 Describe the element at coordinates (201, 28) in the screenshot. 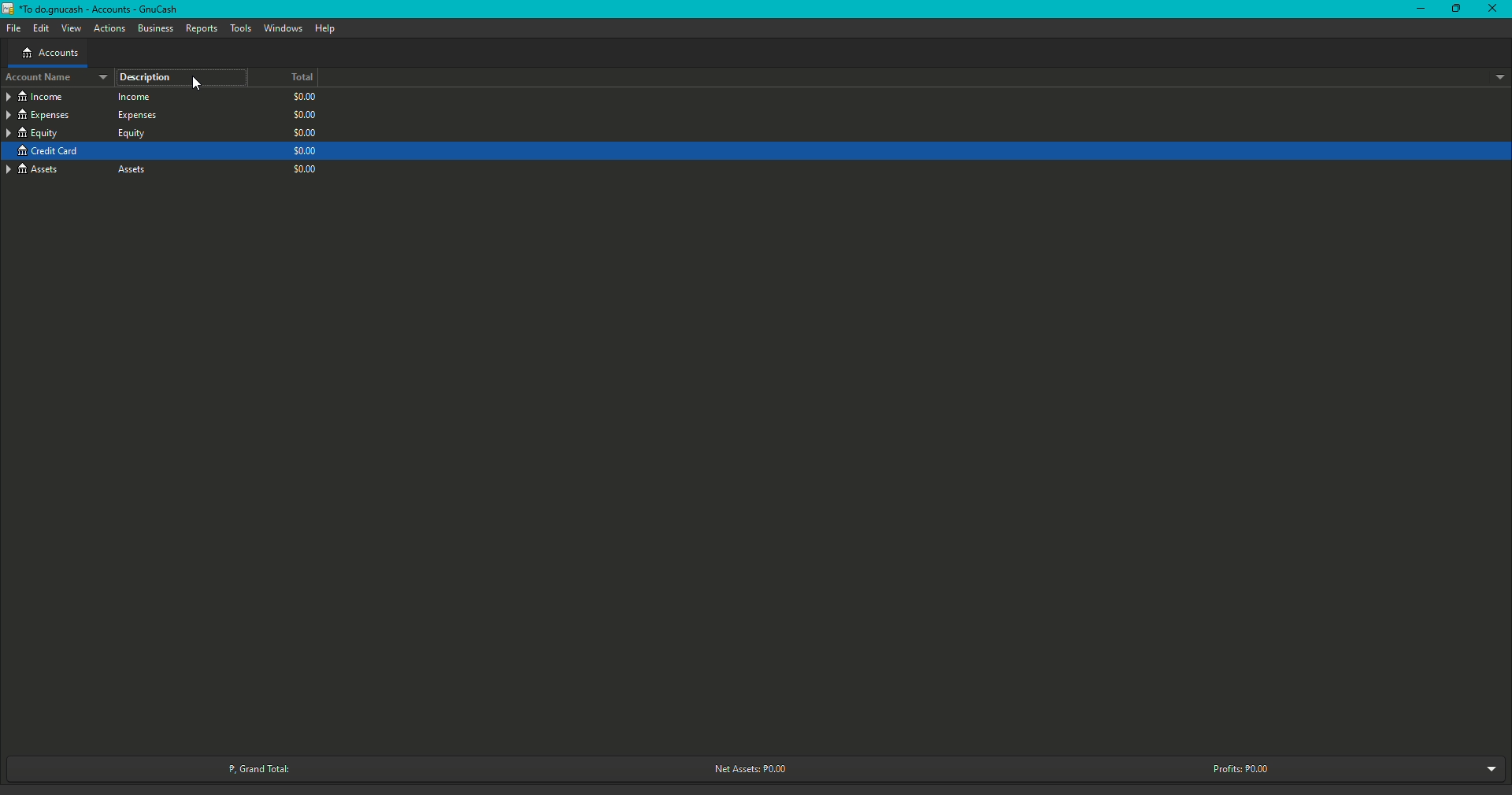

I see `Reports` at that location.